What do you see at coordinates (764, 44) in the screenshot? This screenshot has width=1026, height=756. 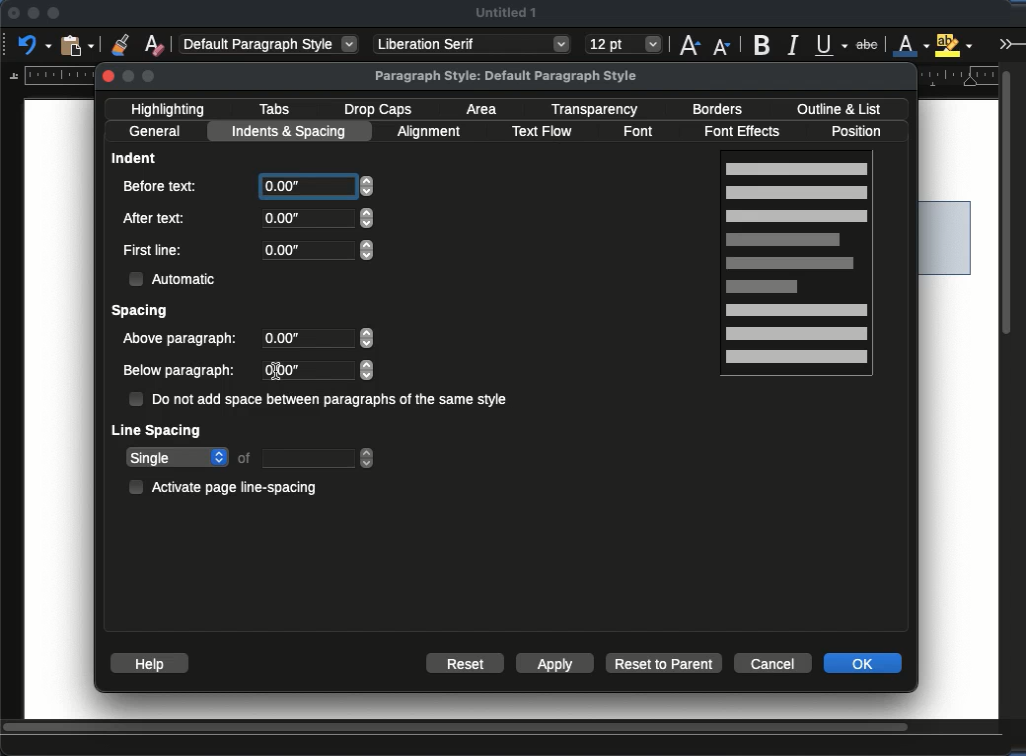 I see `bold` at bounding box center [764, 44].